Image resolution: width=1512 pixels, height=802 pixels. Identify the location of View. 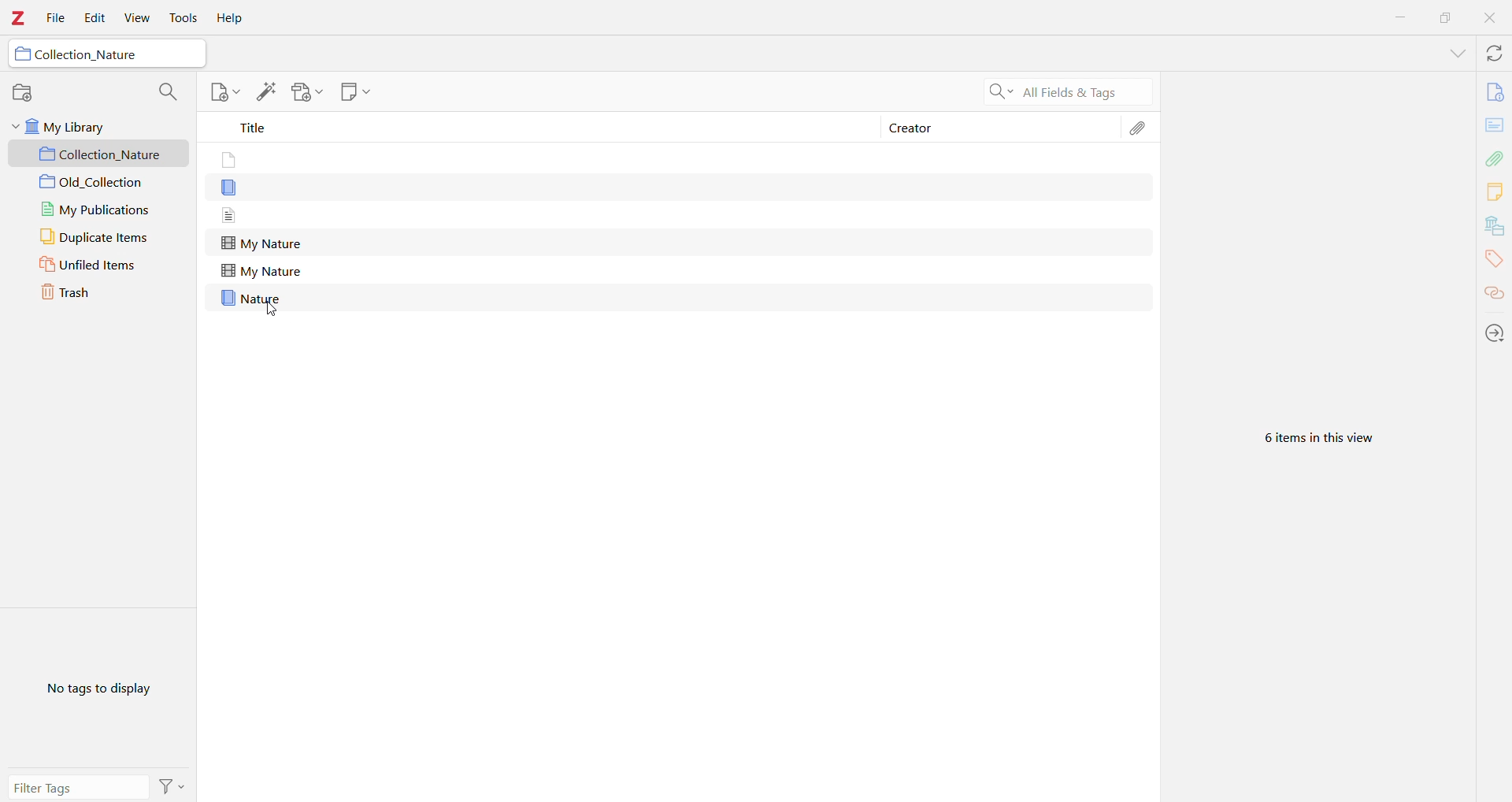
(135, 18).